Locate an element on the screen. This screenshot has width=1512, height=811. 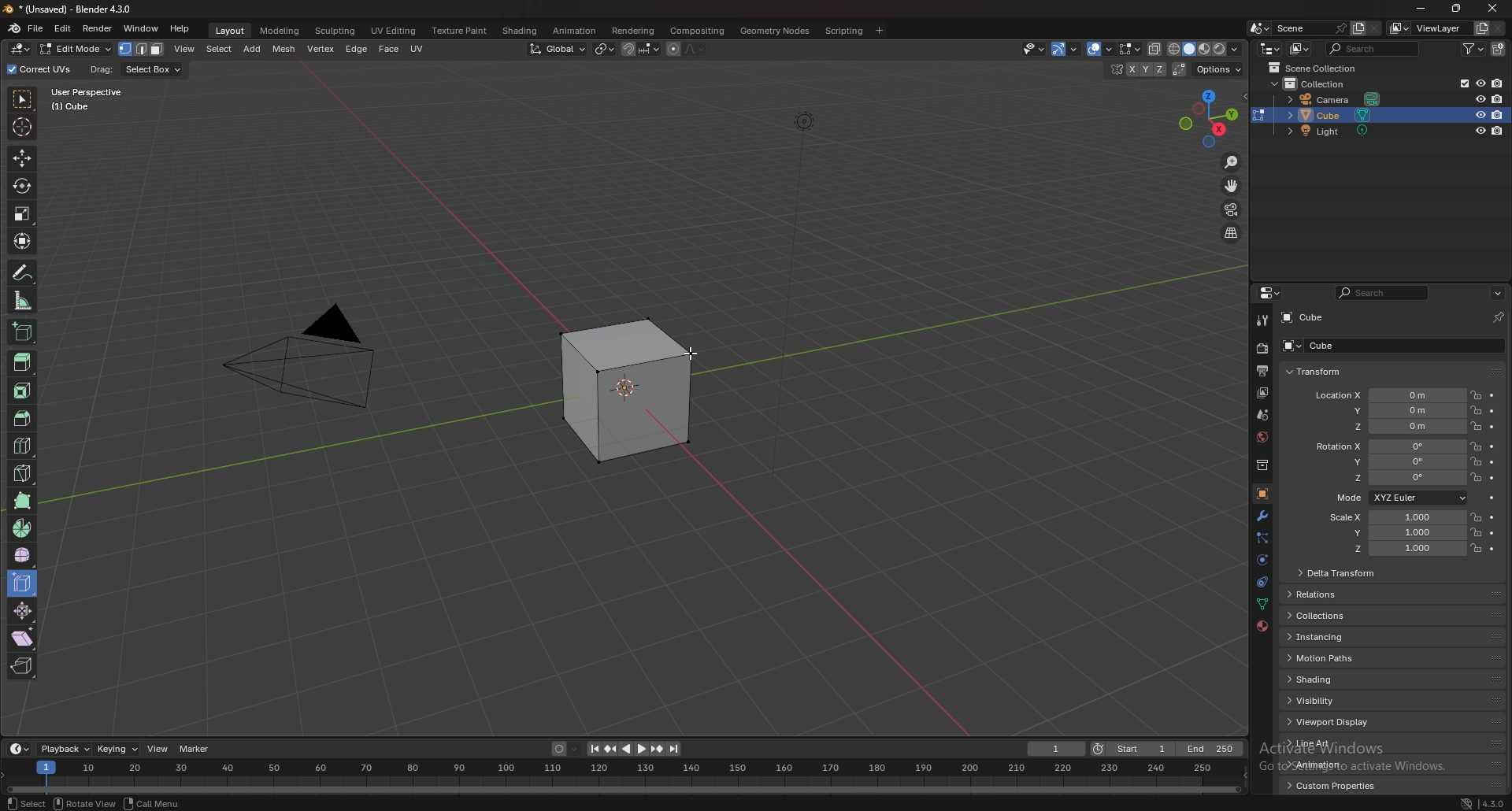
rotation y is located at coordinates (1392, 463).